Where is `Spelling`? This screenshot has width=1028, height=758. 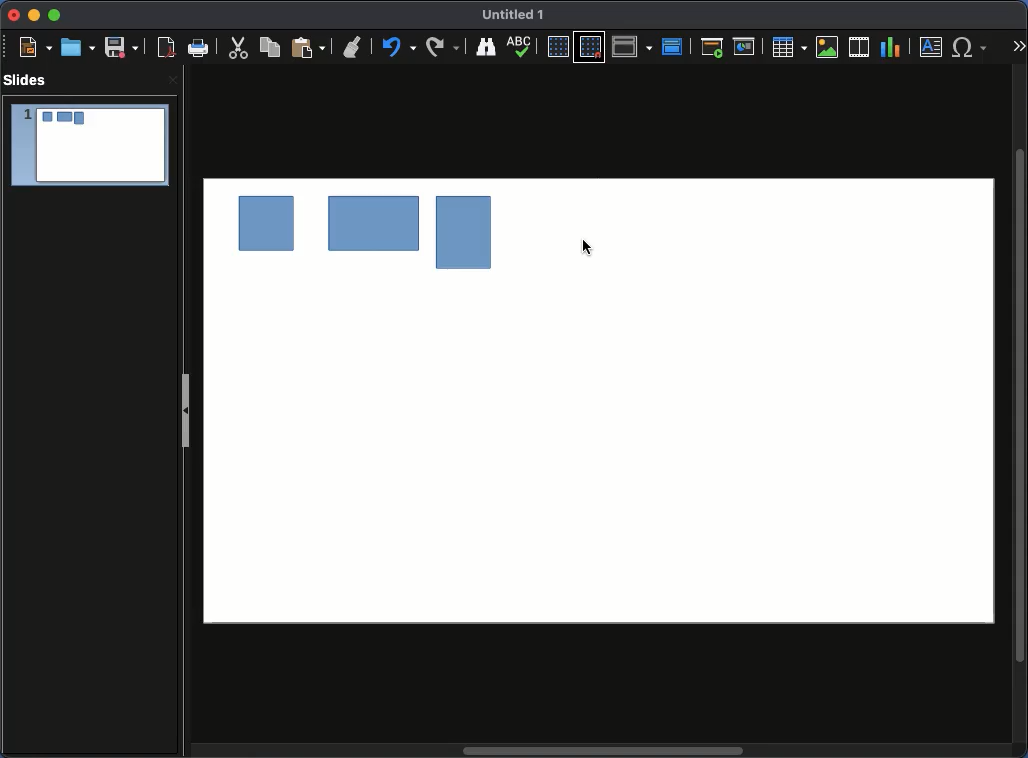
Spelling is located at coordinates (485, 47).